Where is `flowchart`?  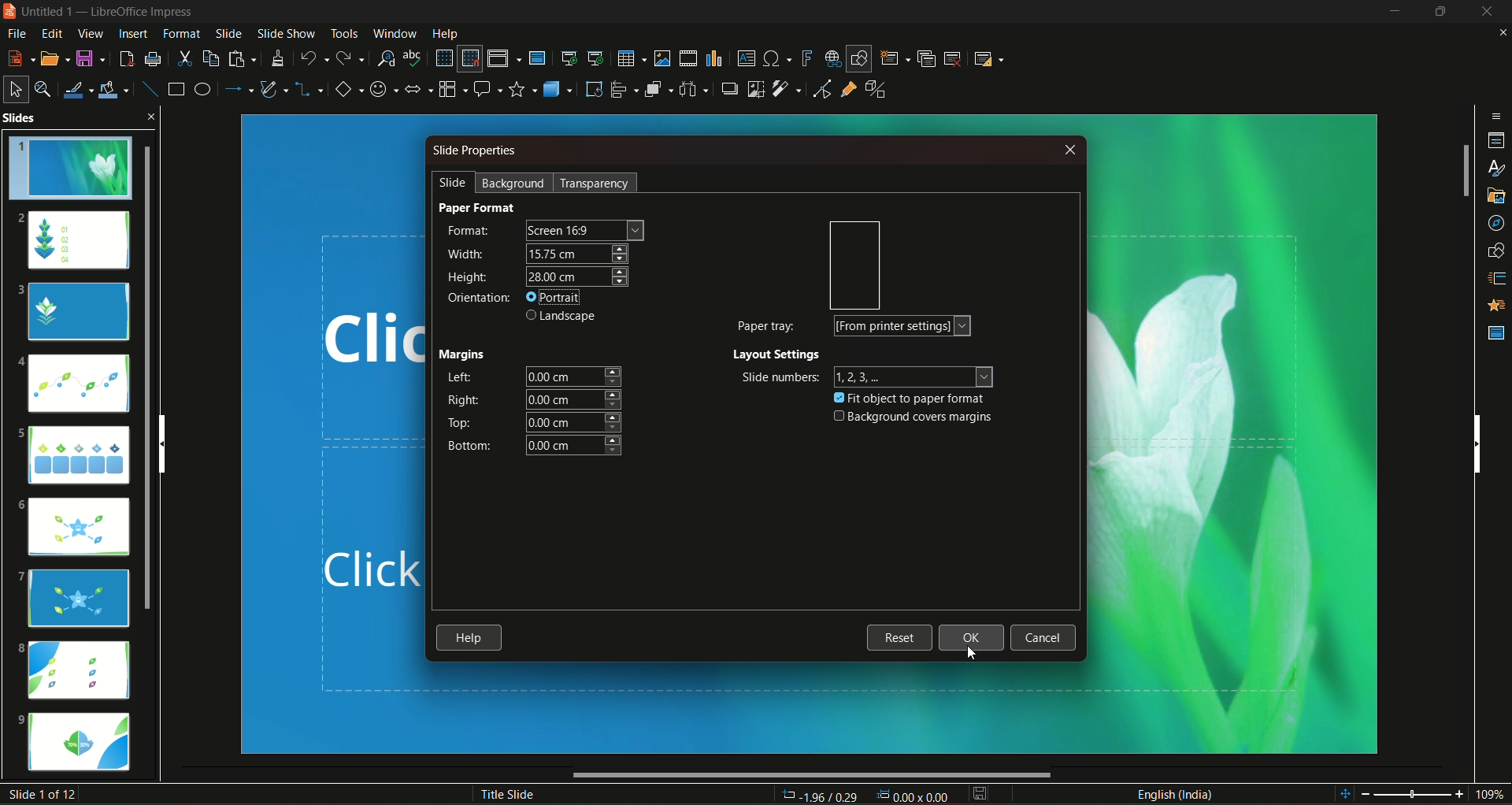
flowchart is located at coordinates (452, 87).